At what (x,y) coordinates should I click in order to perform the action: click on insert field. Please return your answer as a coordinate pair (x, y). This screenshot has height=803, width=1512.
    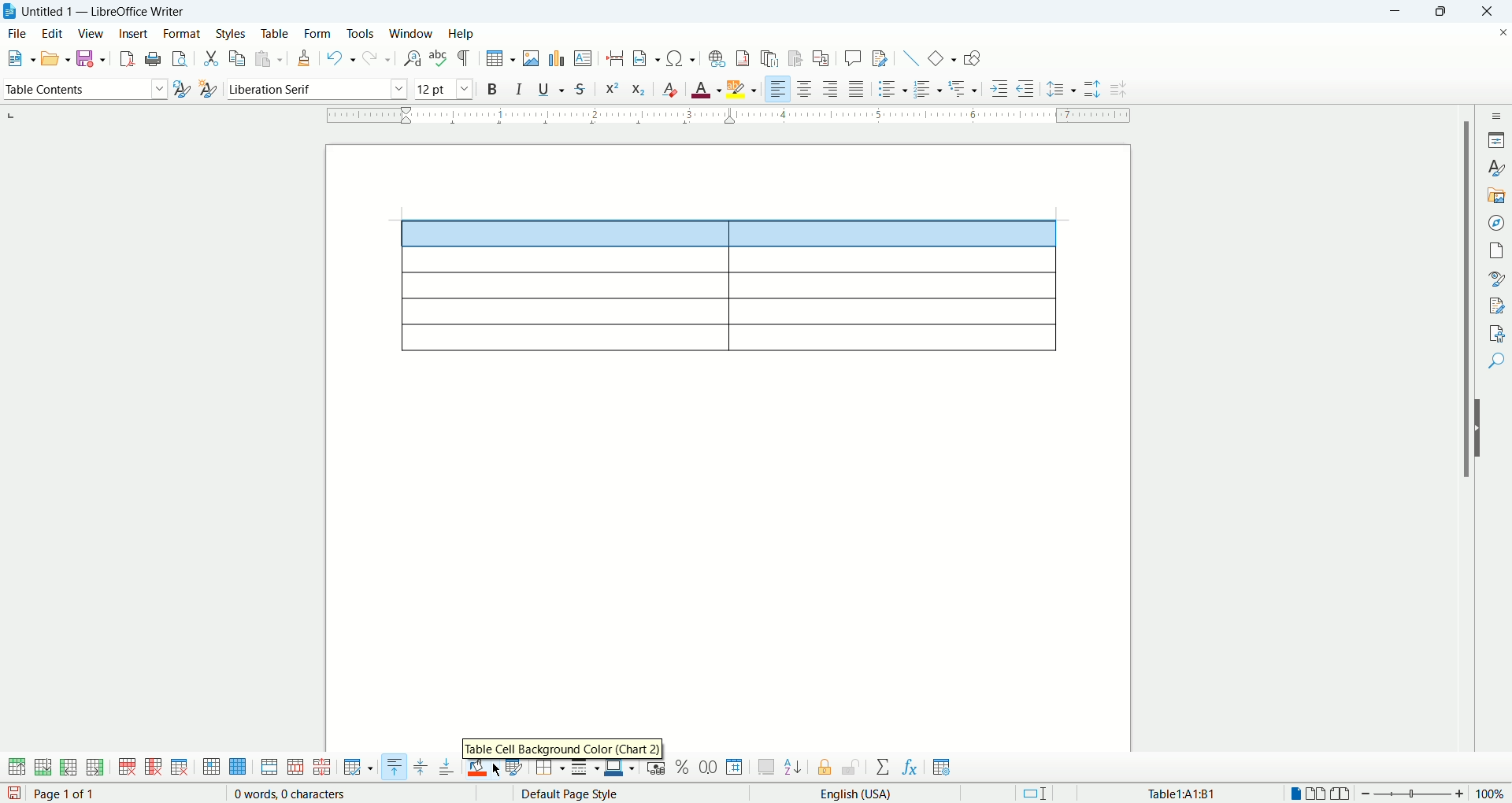
    Looking at the image, I should click on (648, 57).